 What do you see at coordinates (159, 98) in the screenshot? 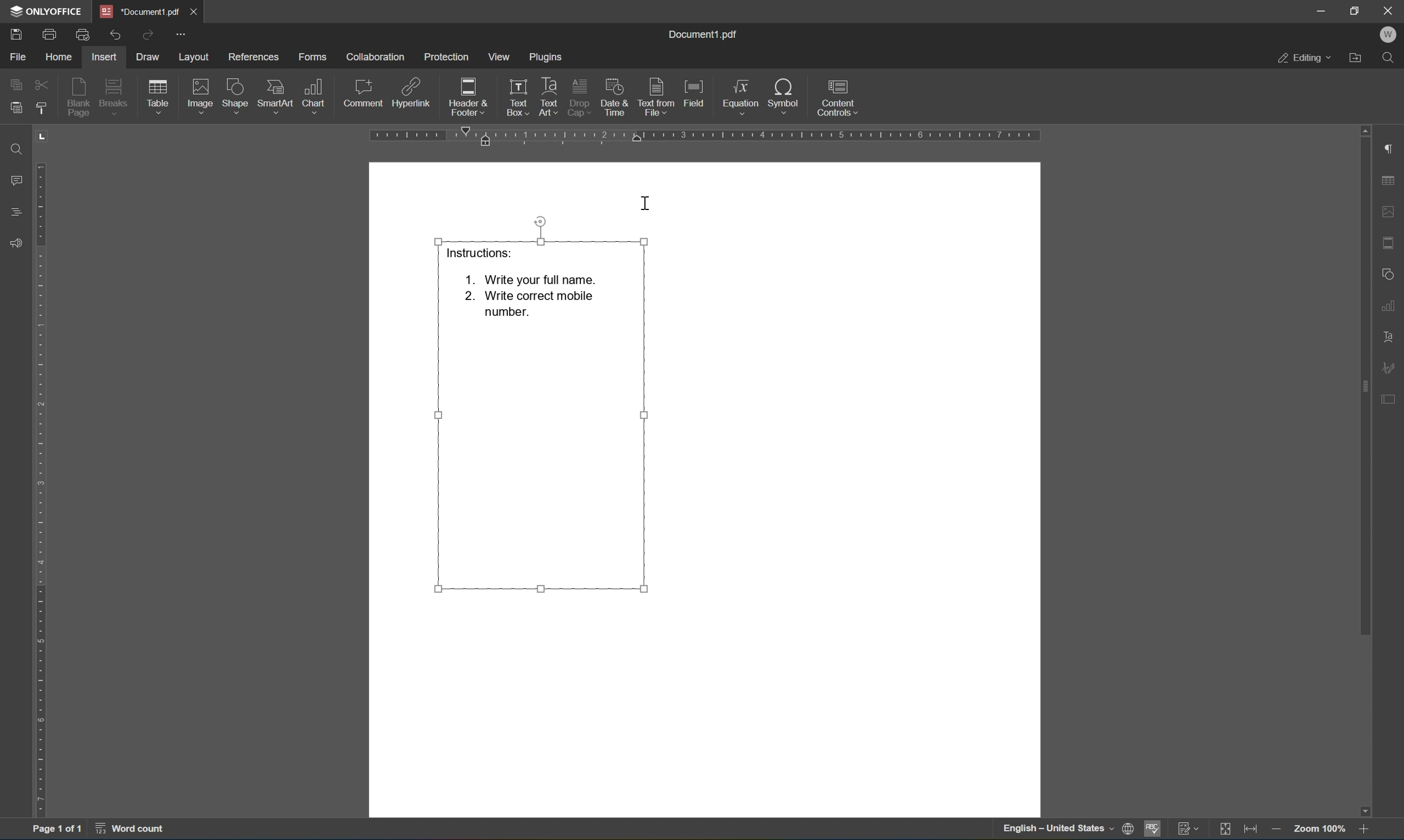
I see `table` at bounding box center [159, 98].